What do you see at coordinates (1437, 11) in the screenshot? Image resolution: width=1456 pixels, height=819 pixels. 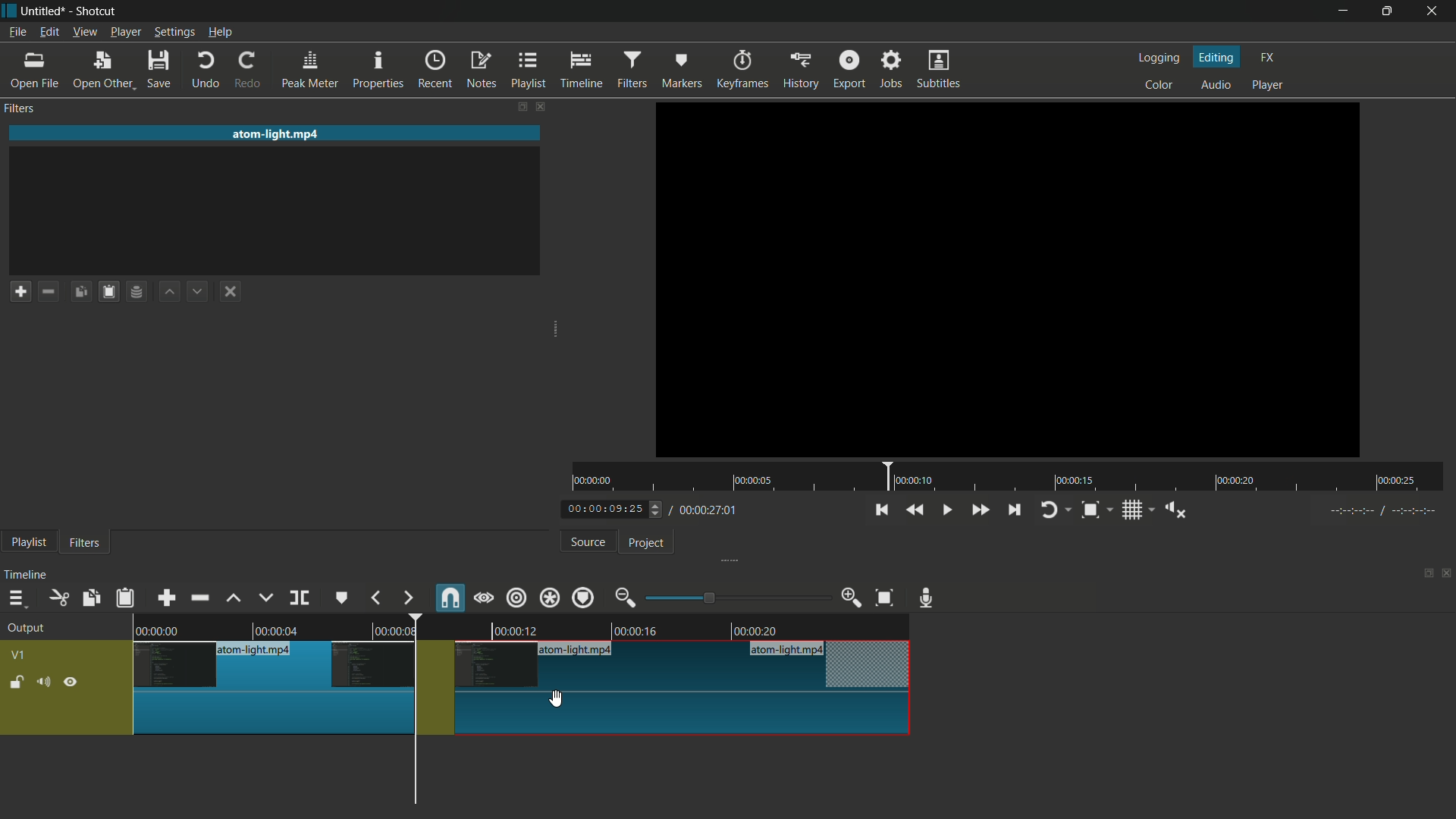 I see `close app` at bounding box center [1437, 11].